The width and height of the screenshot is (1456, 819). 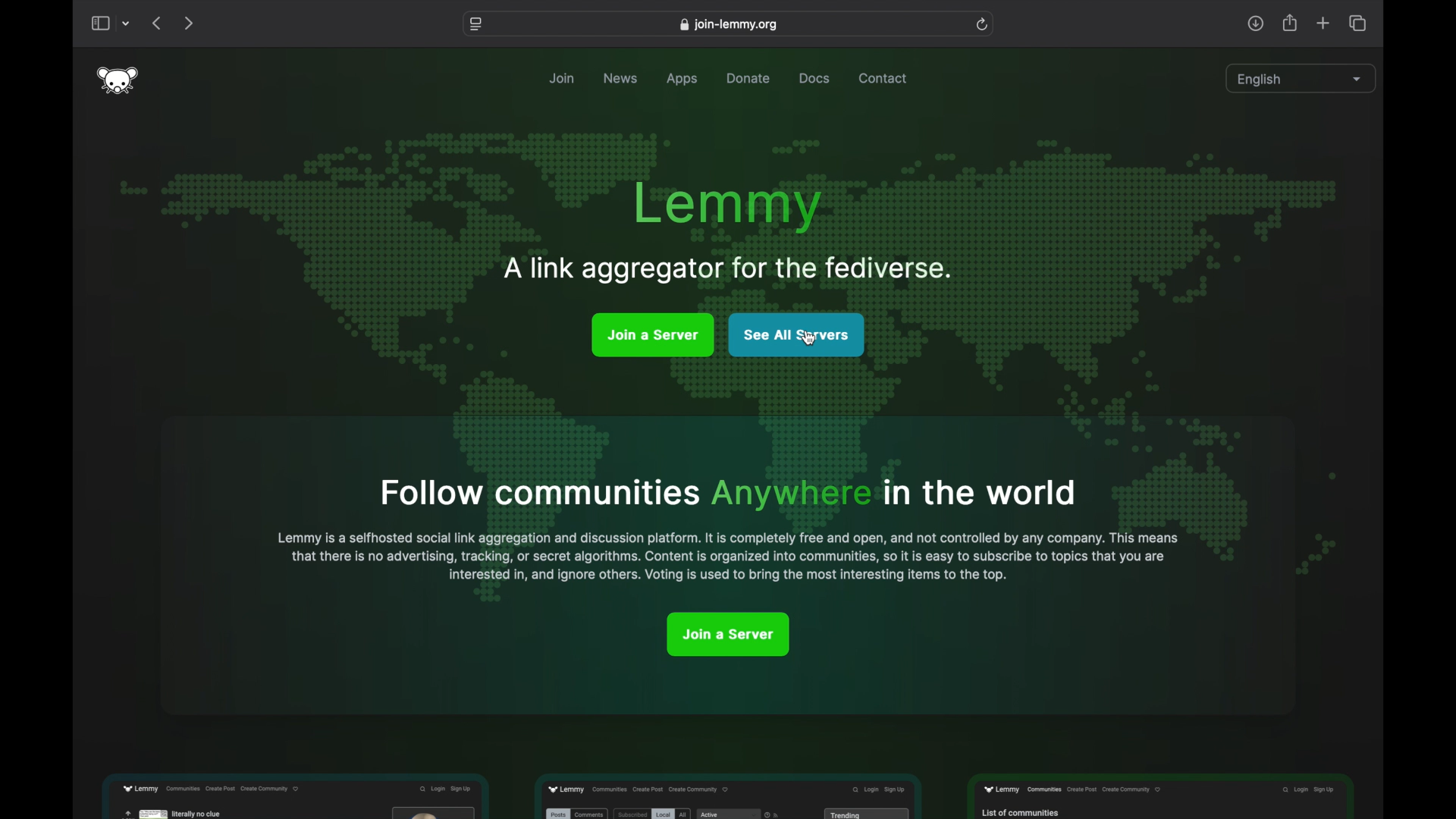 I want to click on cursor, so click(x=811, y=339).